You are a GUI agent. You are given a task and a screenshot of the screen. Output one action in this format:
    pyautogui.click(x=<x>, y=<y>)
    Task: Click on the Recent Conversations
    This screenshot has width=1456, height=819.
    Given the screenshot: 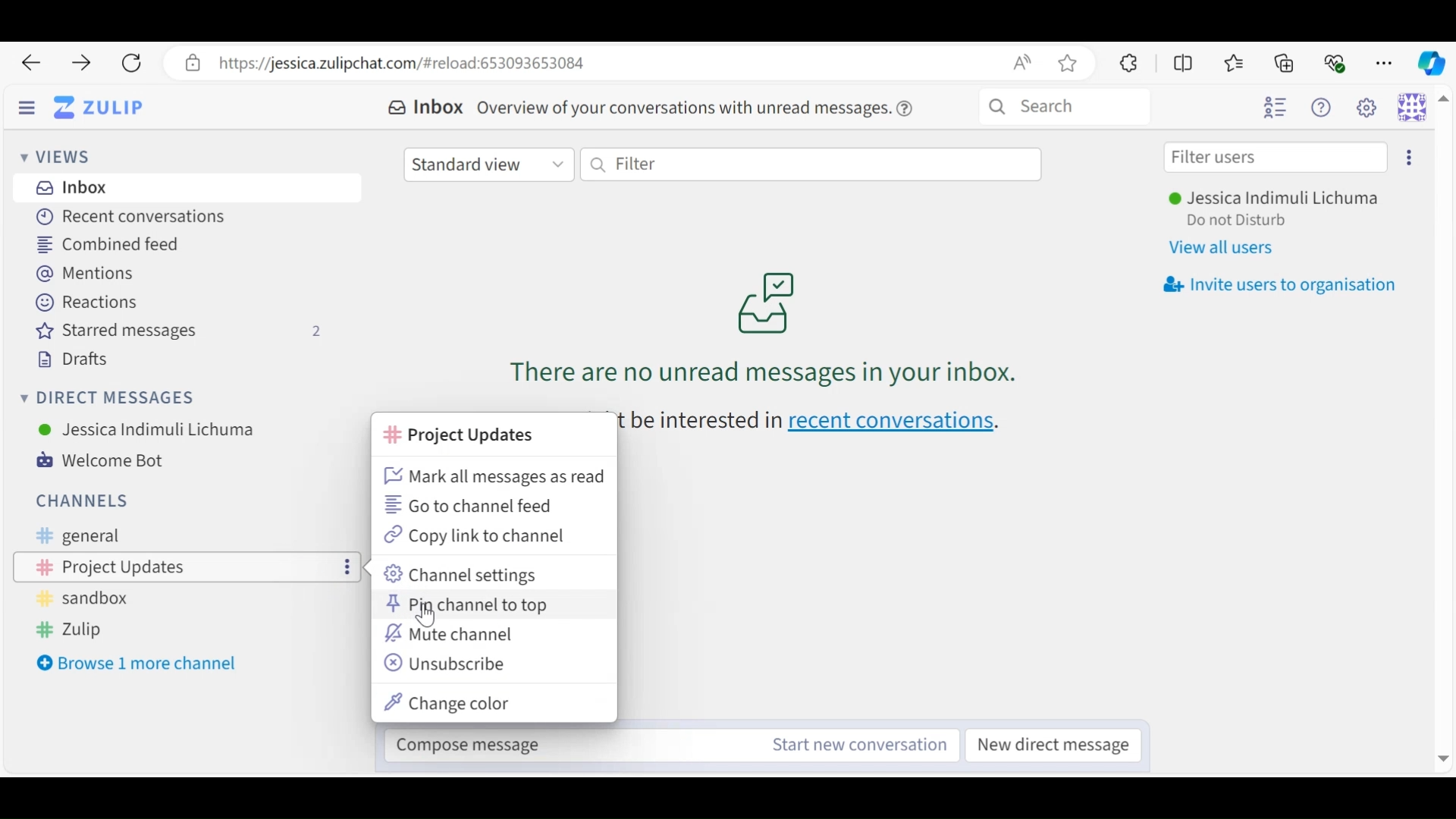 What is the action you would take?
    pyautogui.click(x=126, y=218)
    